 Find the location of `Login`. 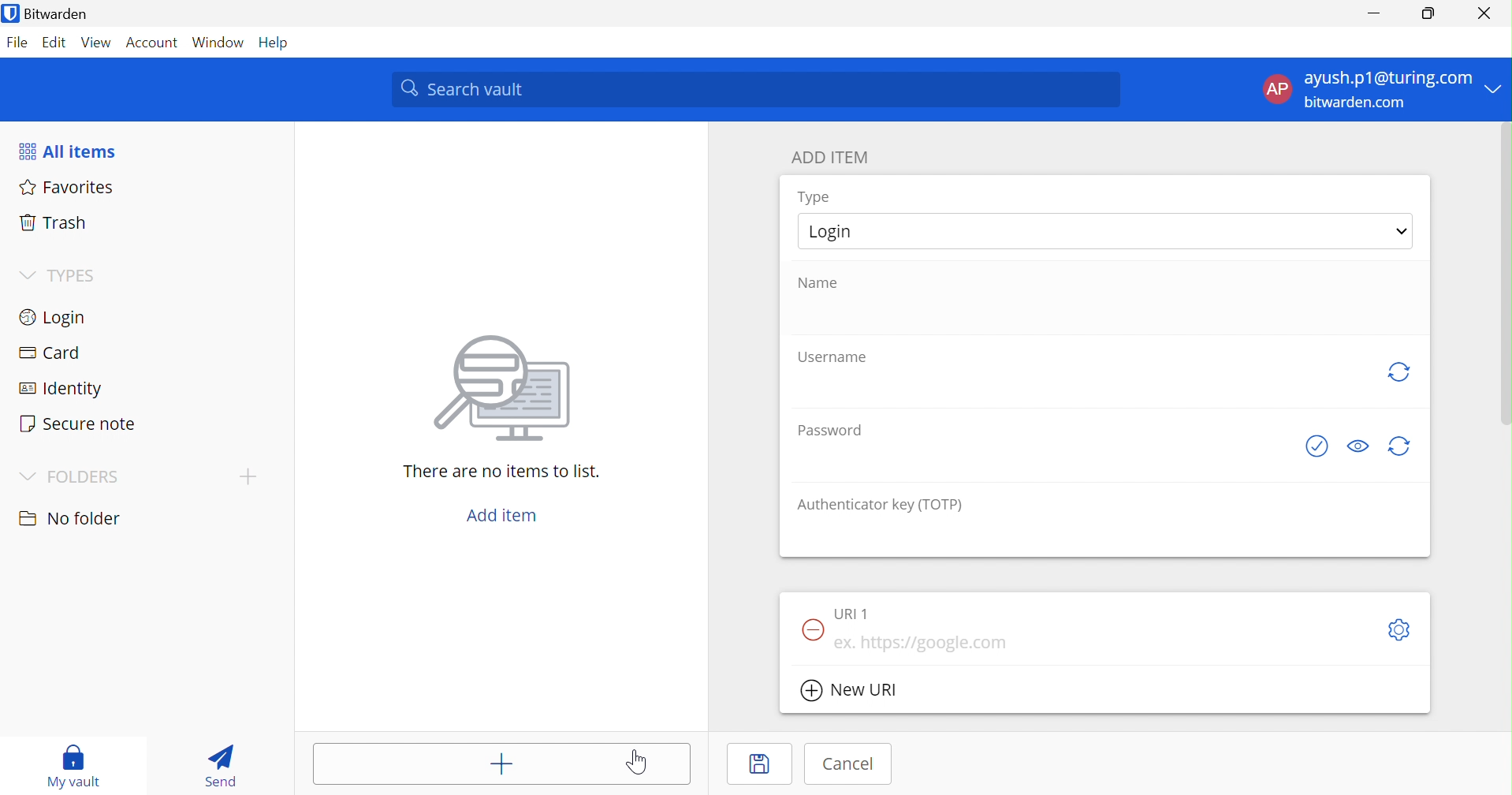

Login is located at coordinates (56, 319).